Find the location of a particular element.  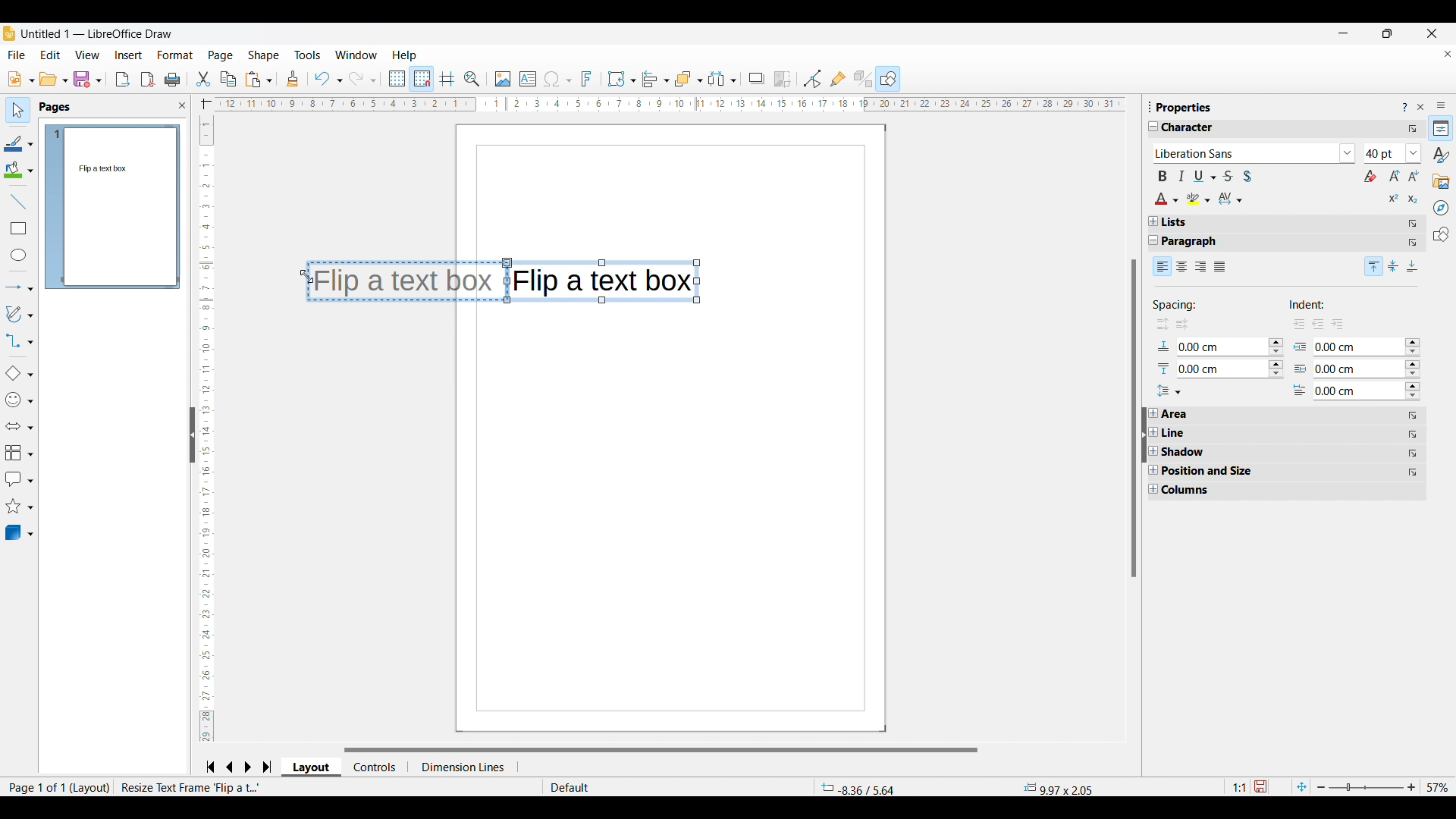

List font options is located at coordinates (1348, 153).